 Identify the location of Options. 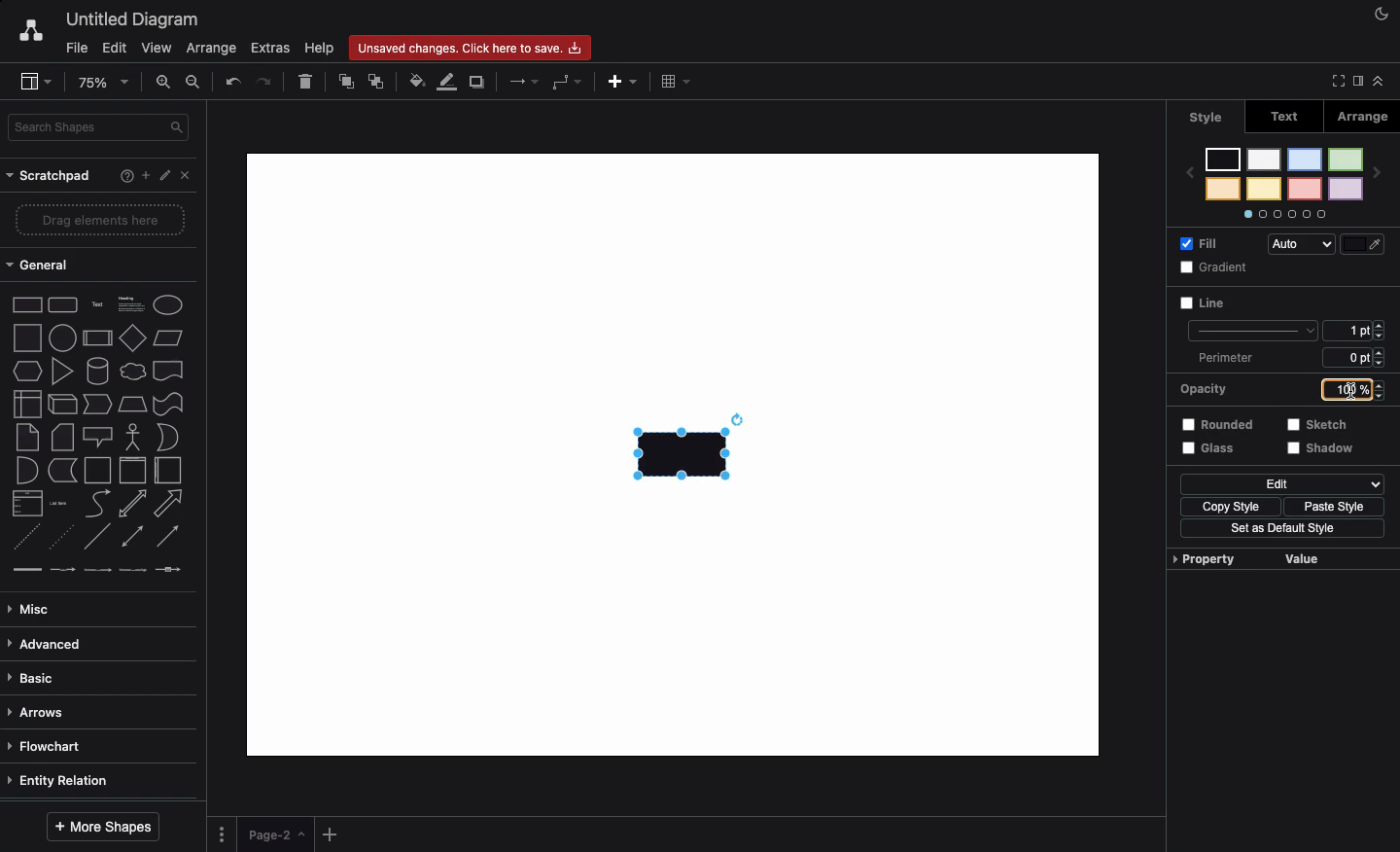
(224, 835).